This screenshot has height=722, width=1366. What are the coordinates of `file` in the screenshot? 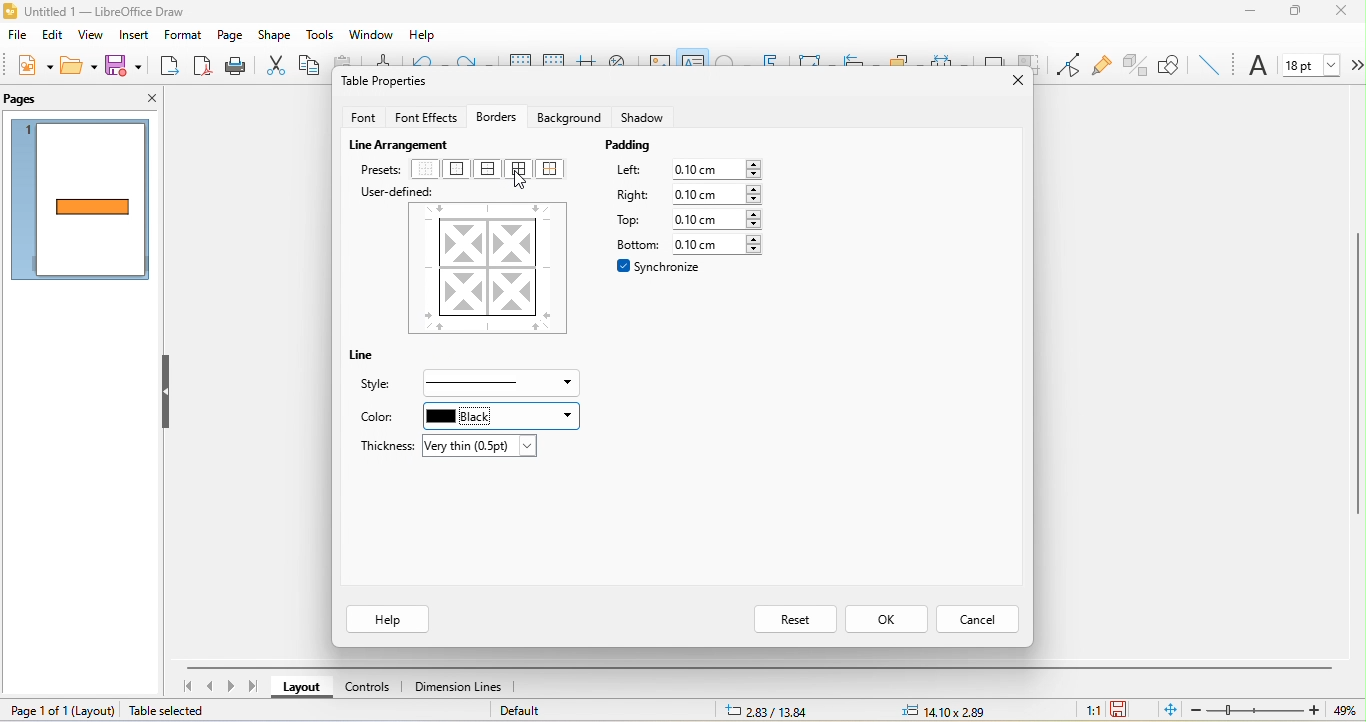 It's located at (14, 35).